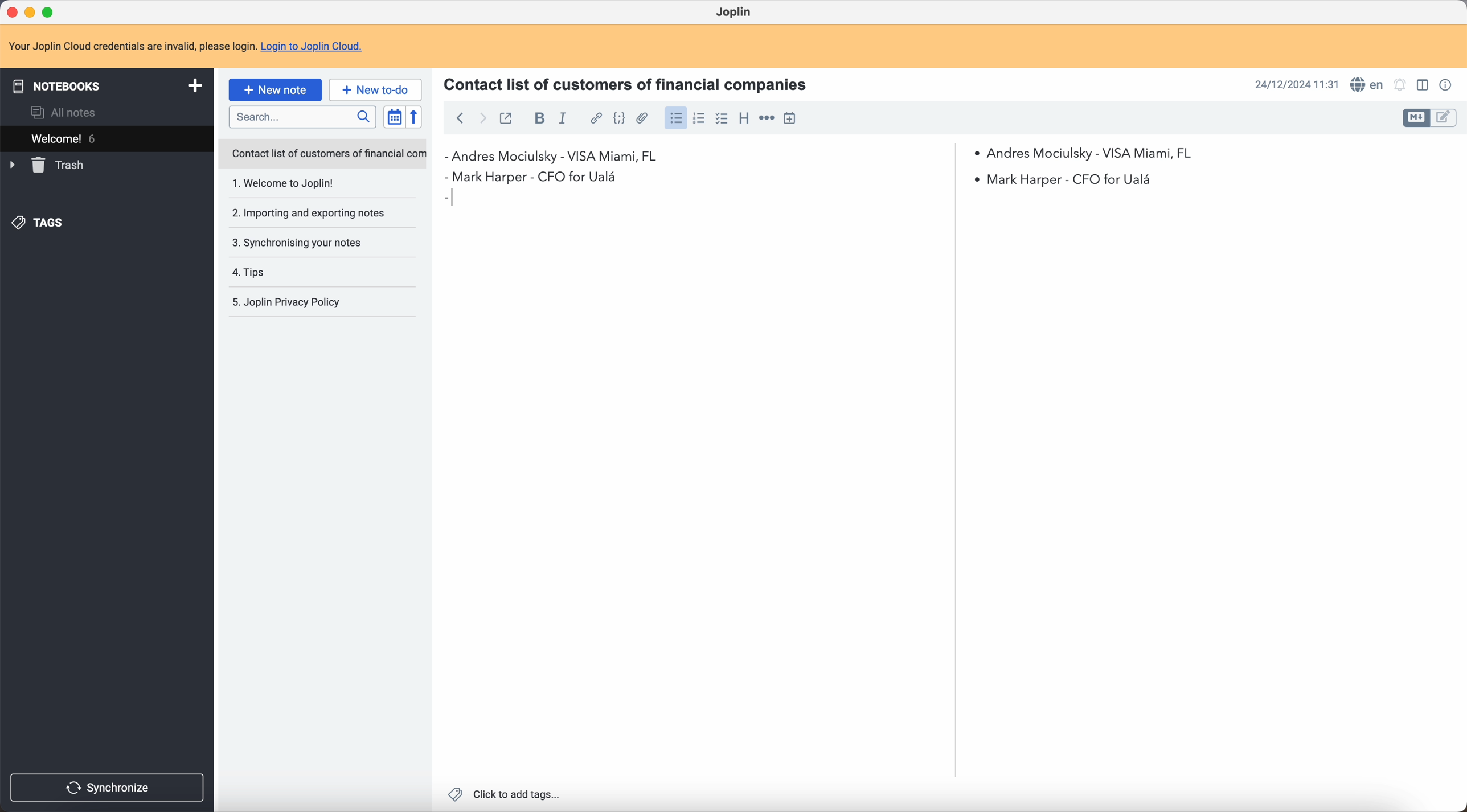 Image resolution: width=1467 pixels, height=812 pixels. What do you see at coordinates (284, 272) in the screenshot?
I see `4. Tips` at bounding box center [284, 272].